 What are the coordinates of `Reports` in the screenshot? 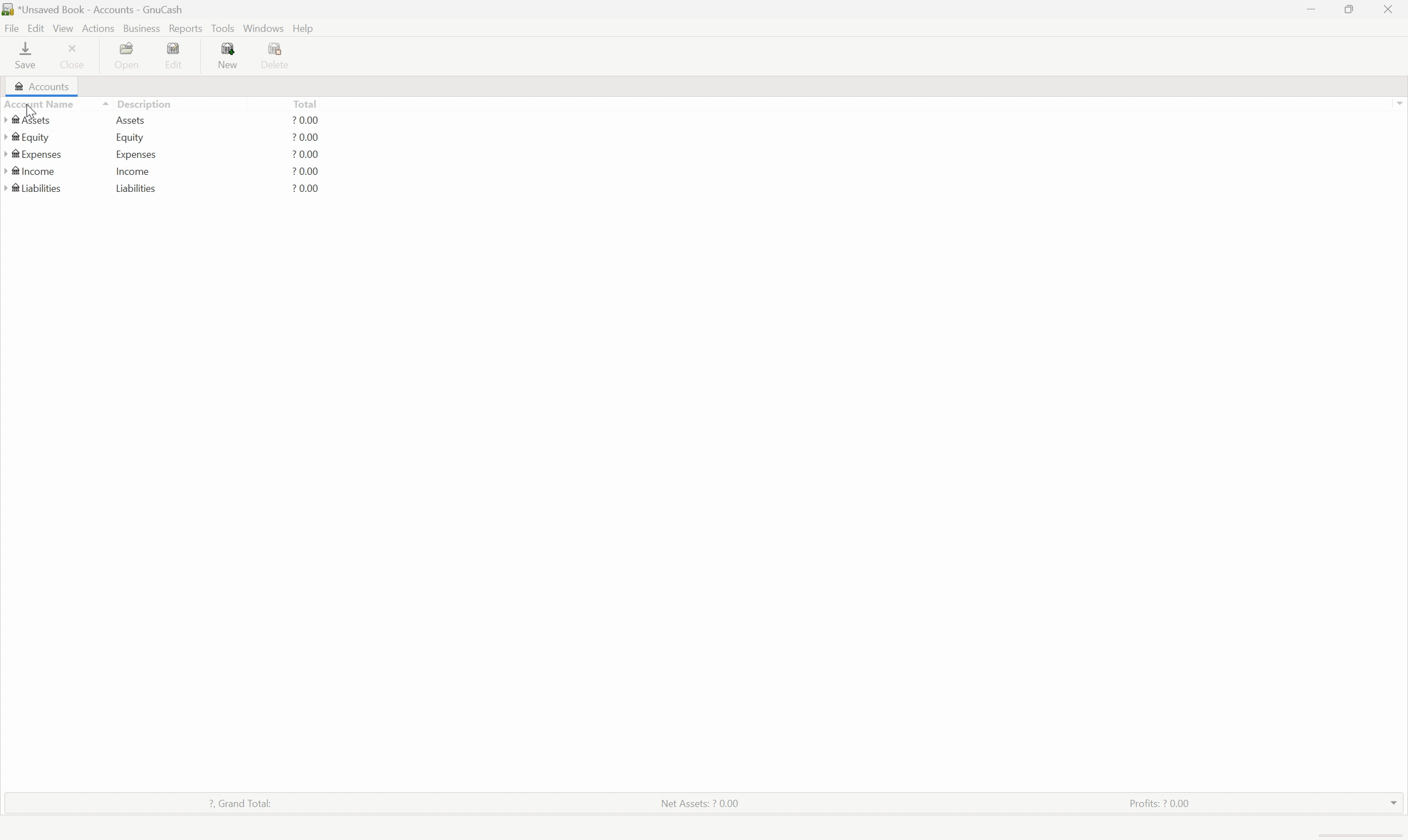 It's located at (184, 28).